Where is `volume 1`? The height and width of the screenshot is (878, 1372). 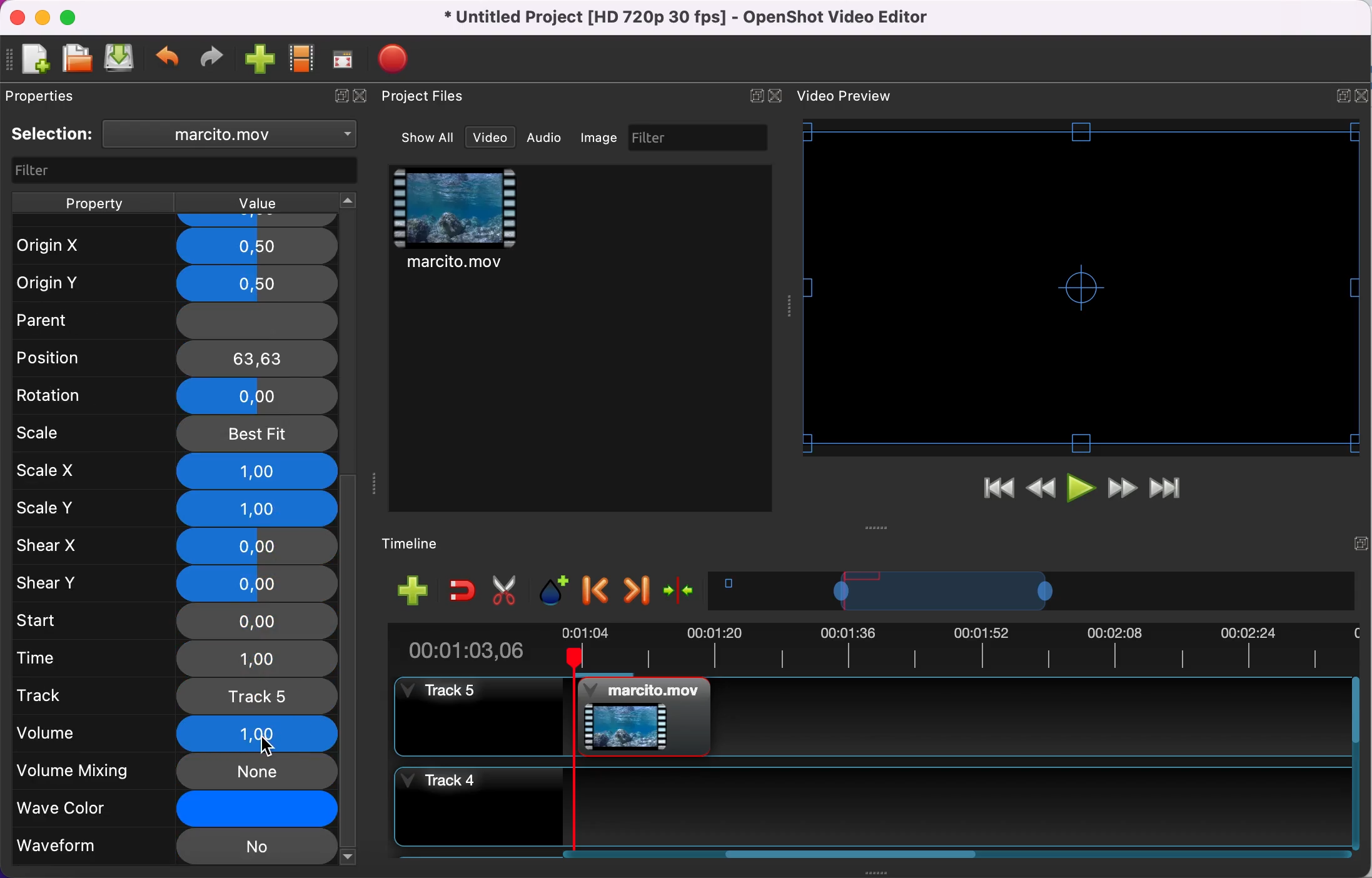
volume 1 is located at coordinates (171, 734).